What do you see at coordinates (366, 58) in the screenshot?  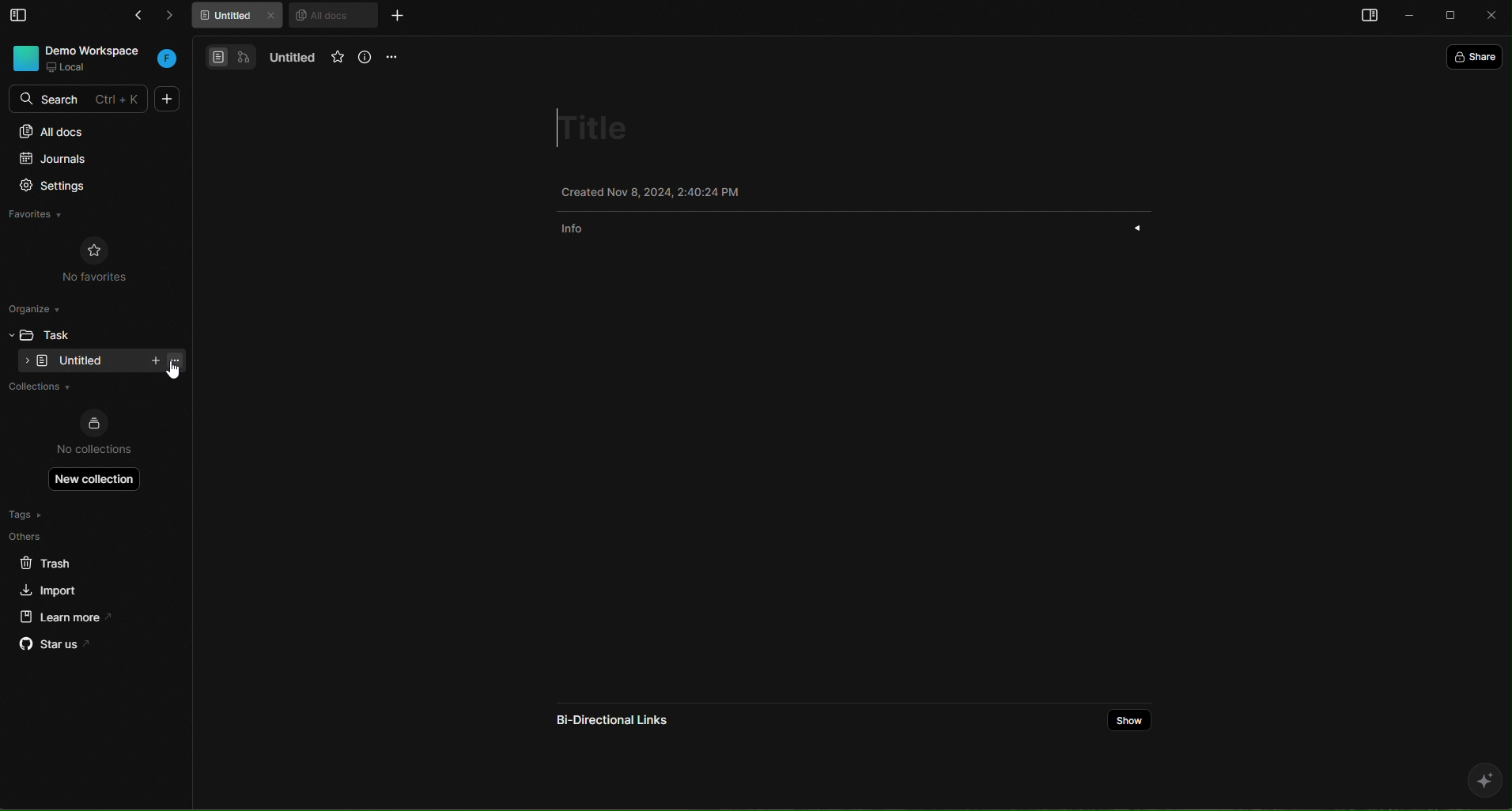 I see `info` at bounding box center [366, 58].